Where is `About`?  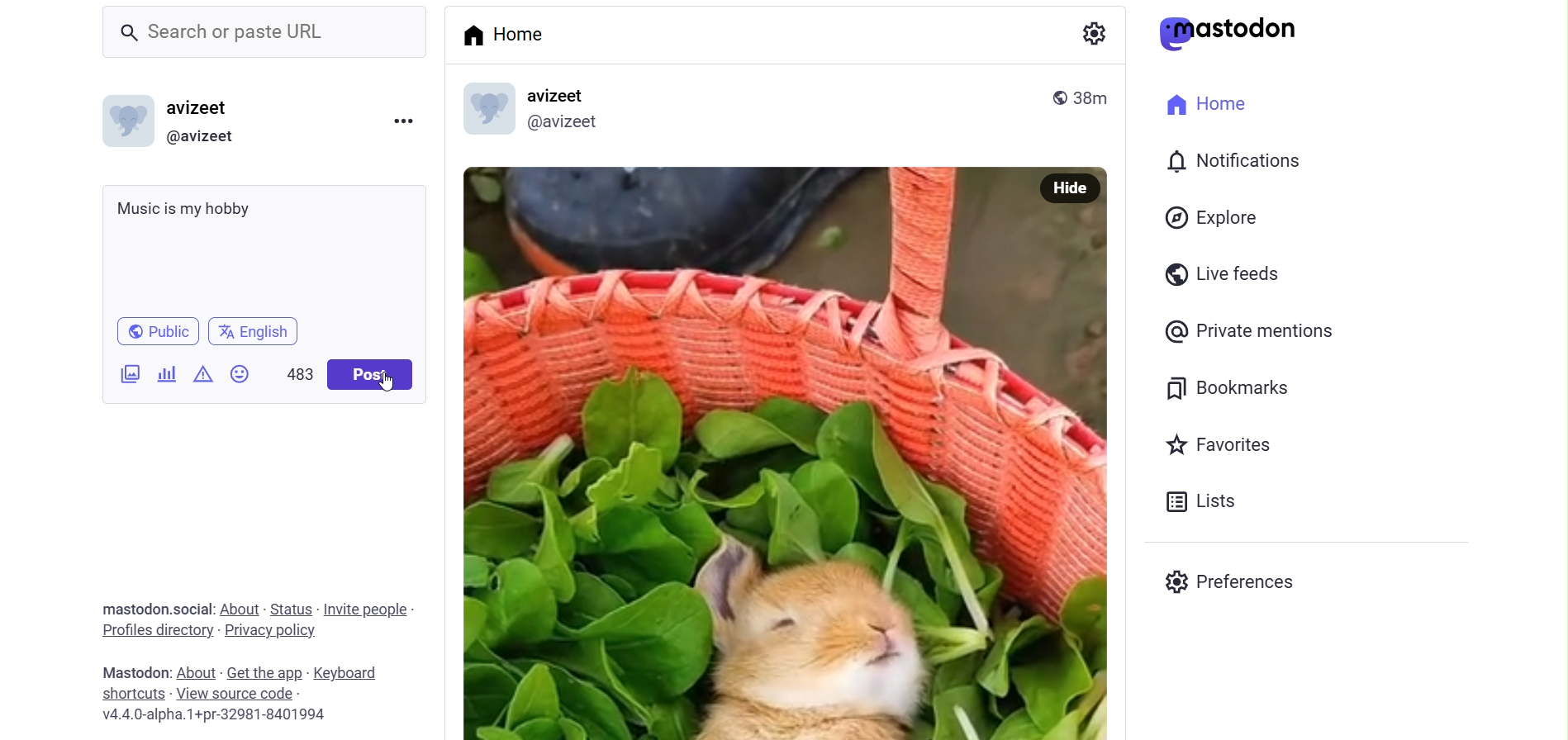
About is located at coordinates (239, 608).